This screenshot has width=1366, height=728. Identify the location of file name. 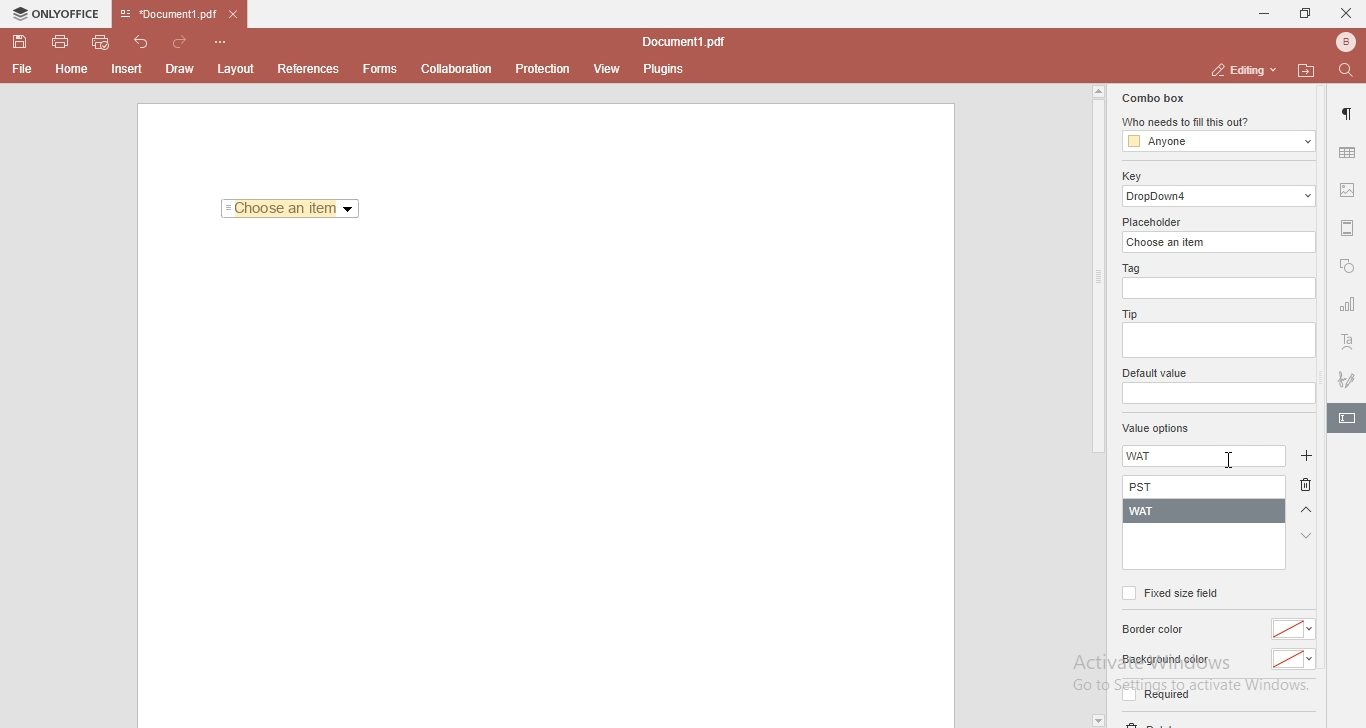
(688, 43).